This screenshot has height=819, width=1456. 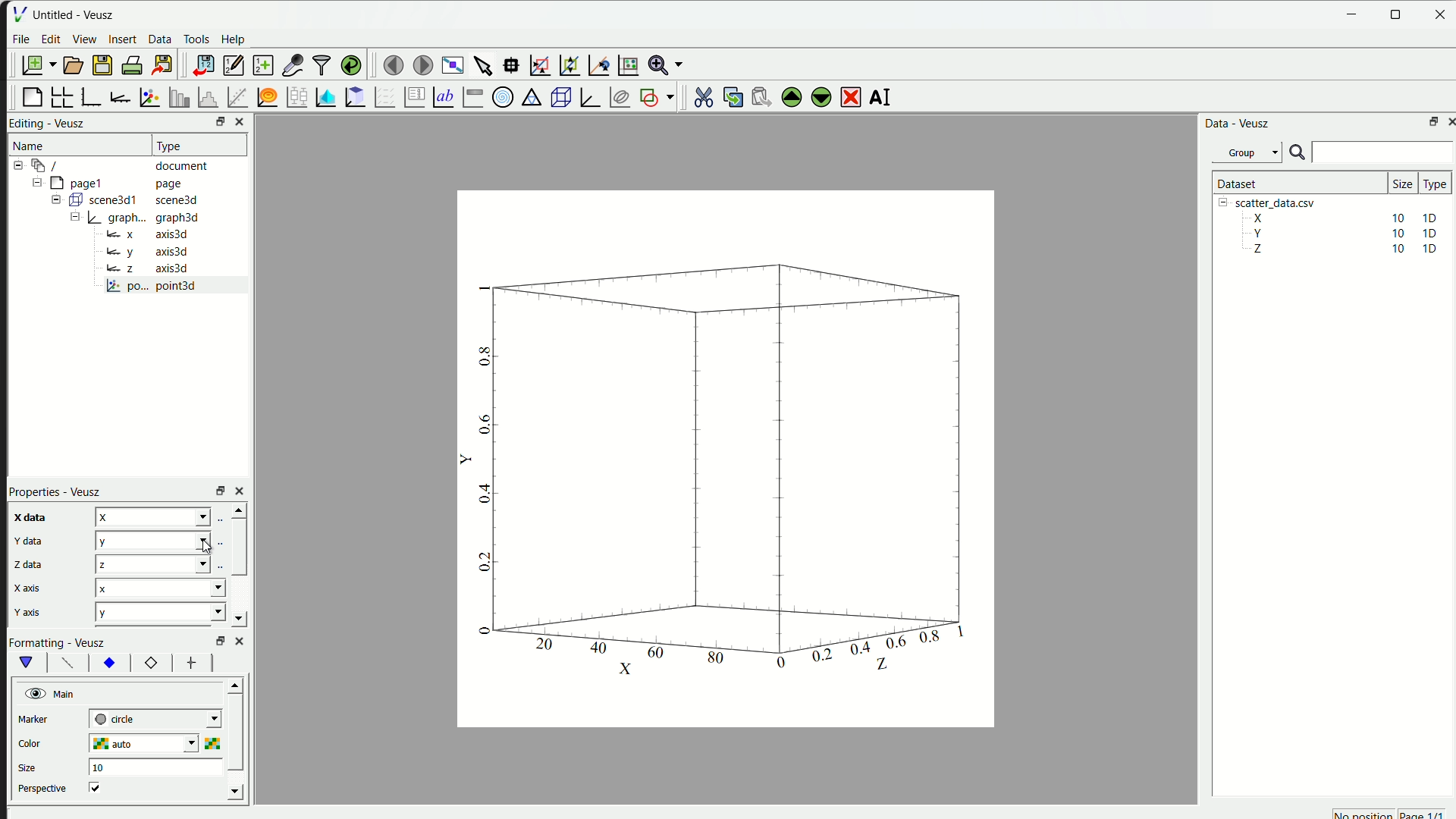 What do you see at coordinates (61, 96) in the screenshot?
I see `arrange graph in grid` at bounding box center [61, 96].